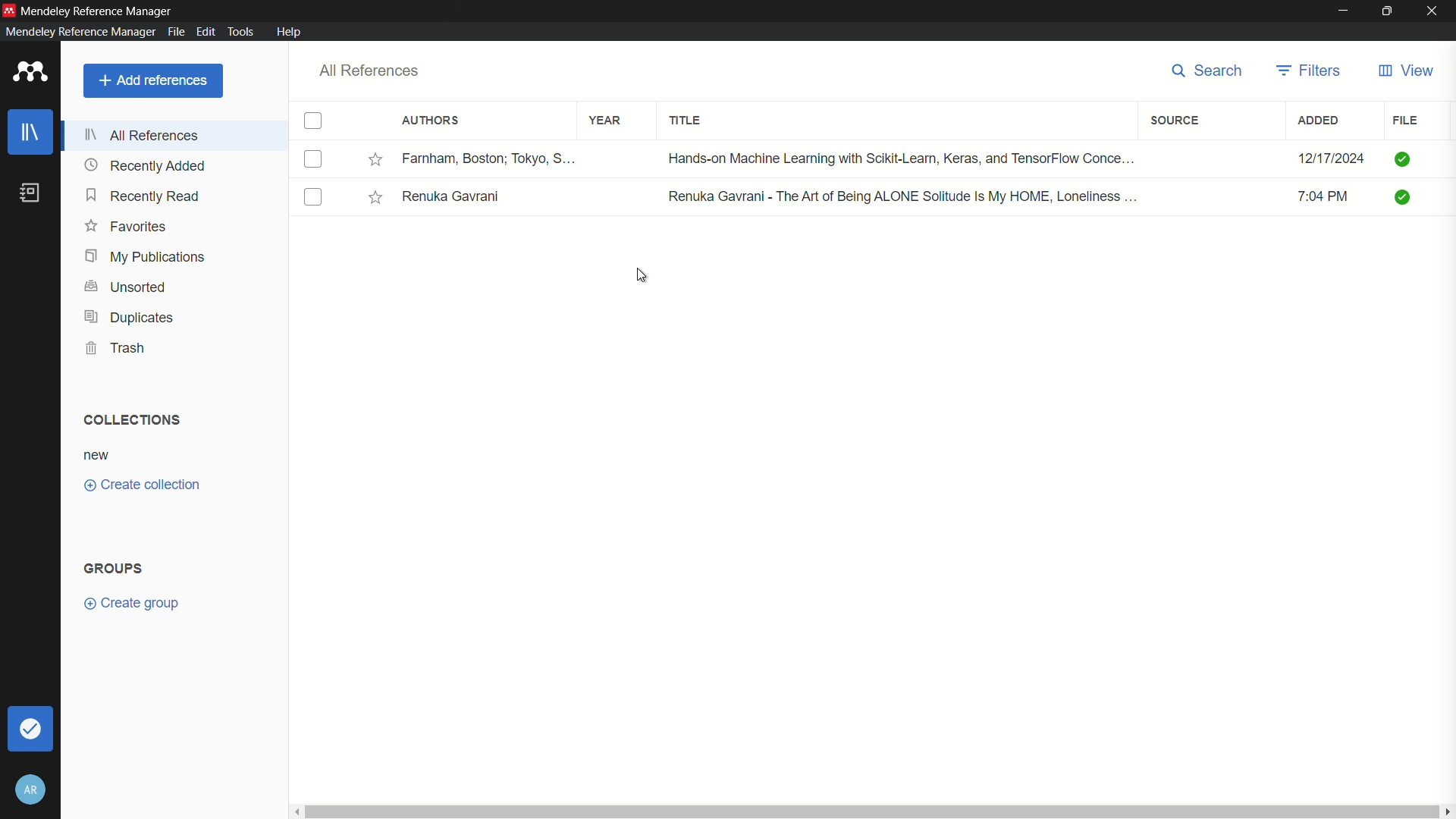 Image resolution: width=1456 pixels, height=819 pixels. I want to click on maximize, so click(1387, 11).